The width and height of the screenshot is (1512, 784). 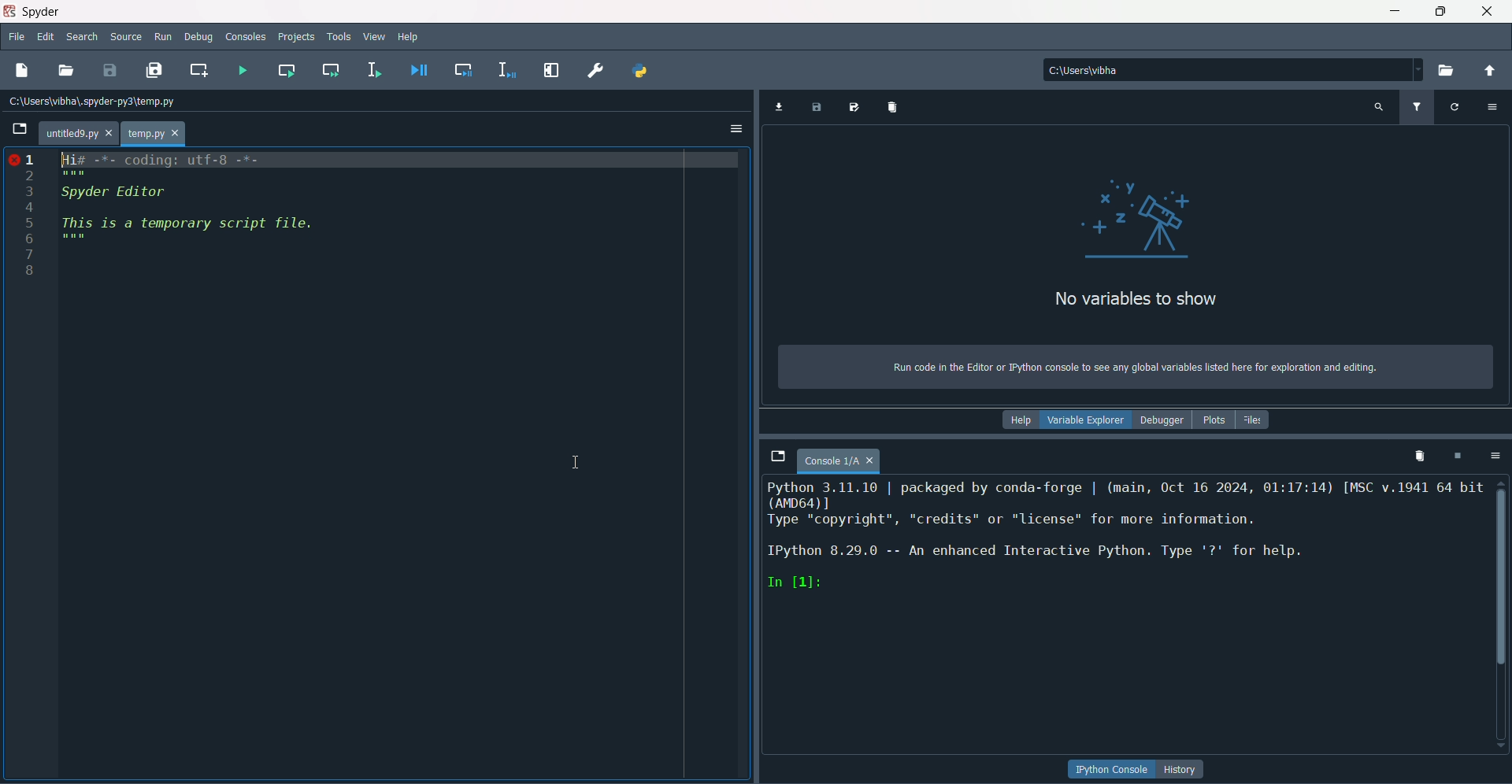 I want to click on minimize, so click(x=1392, y=10).